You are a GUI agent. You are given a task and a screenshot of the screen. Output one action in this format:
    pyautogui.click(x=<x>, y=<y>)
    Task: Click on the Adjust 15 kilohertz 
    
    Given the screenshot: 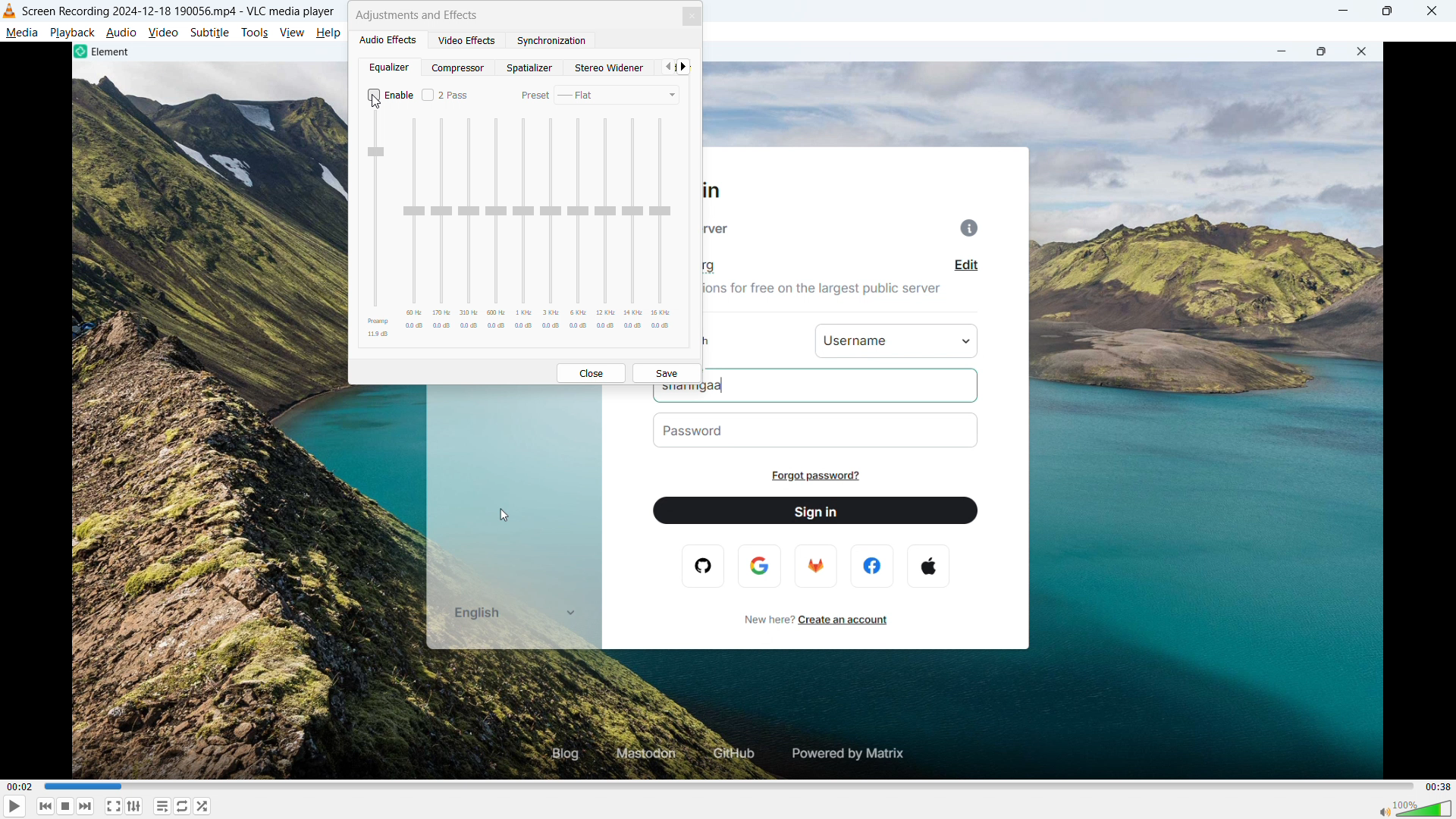 What is the action you would take?
    pyautogui.click(x=661, y=224)
    